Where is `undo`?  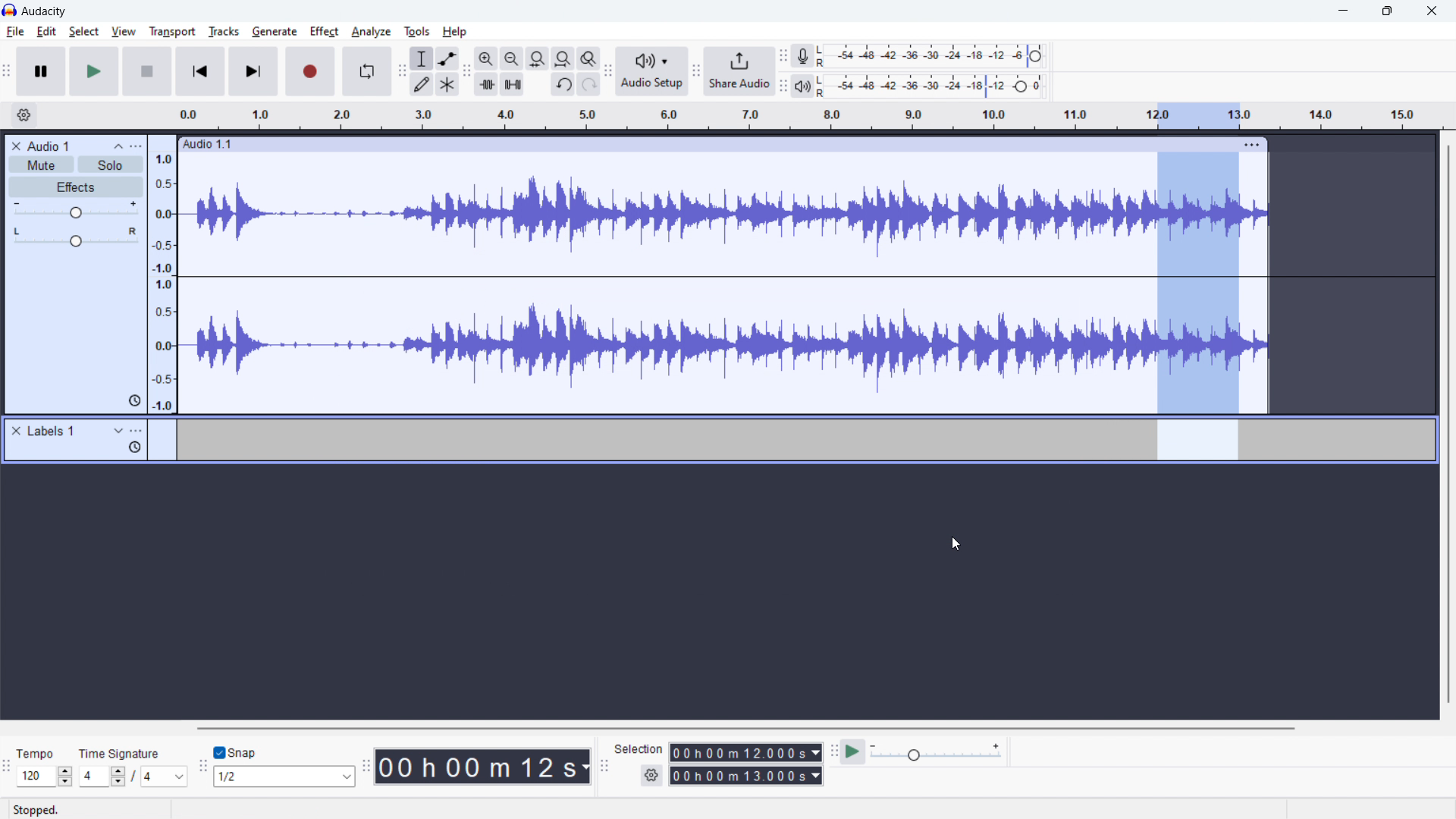
undo is located at coordinates (563, 86).